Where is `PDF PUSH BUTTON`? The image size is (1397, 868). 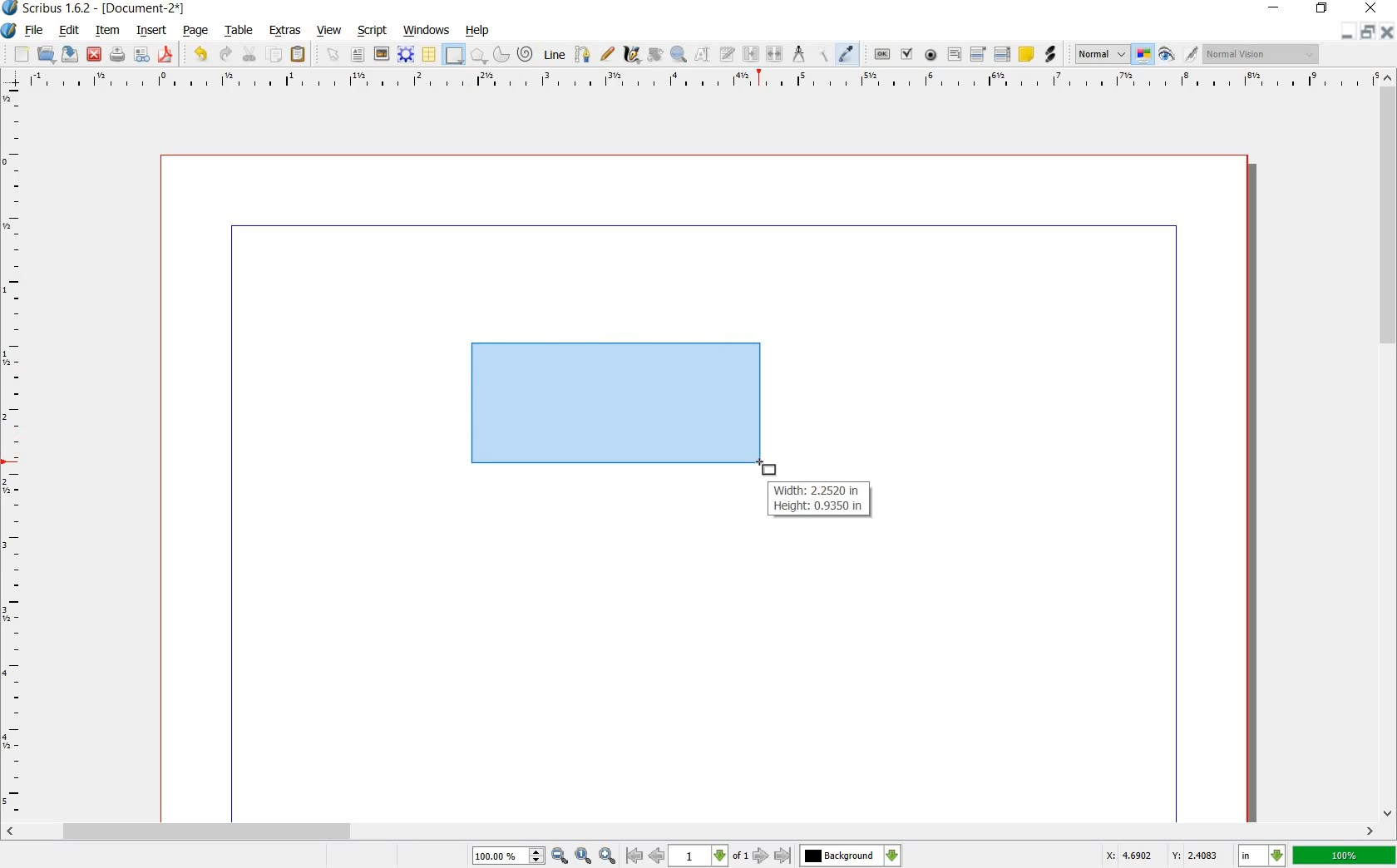
PDF PUSH BUTTON is located at coordinates (879, 54).